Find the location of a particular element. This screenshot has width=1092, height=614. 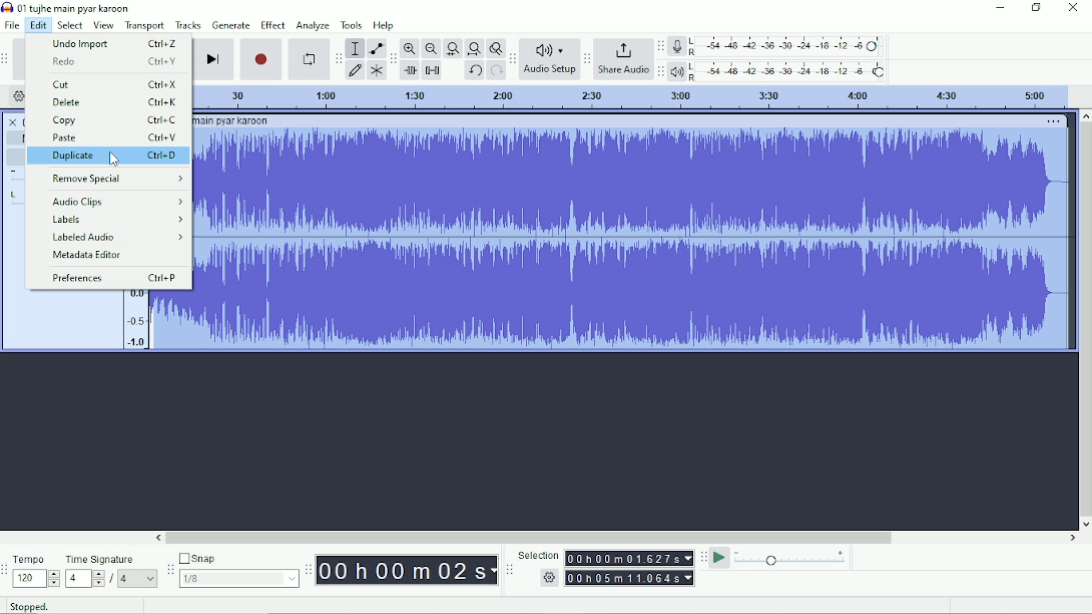

Selection tool is located at coordinates (355, 48).